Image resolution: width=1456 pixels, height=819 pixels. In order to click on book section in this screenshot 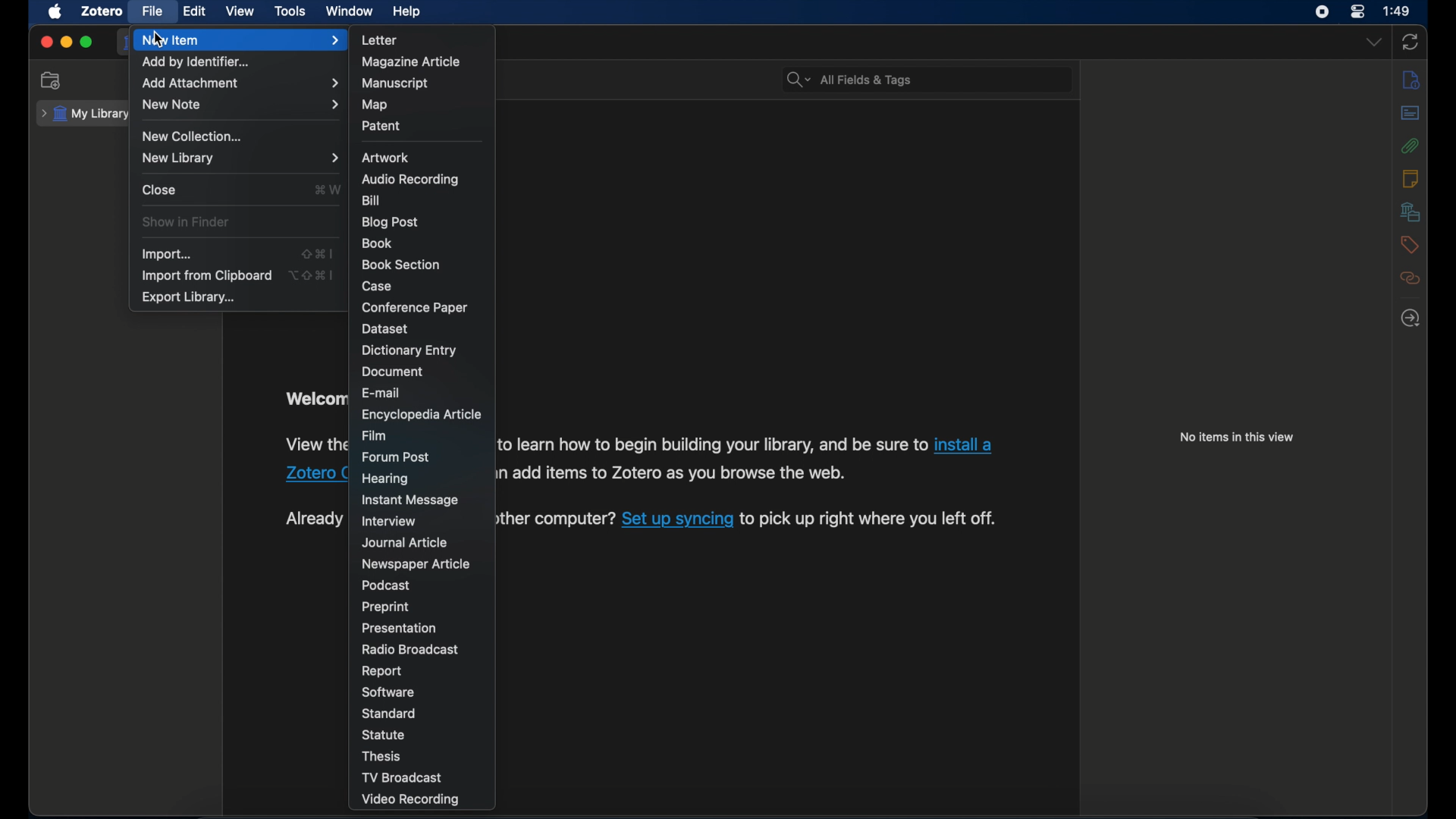, I will do `click(401, 265)`.